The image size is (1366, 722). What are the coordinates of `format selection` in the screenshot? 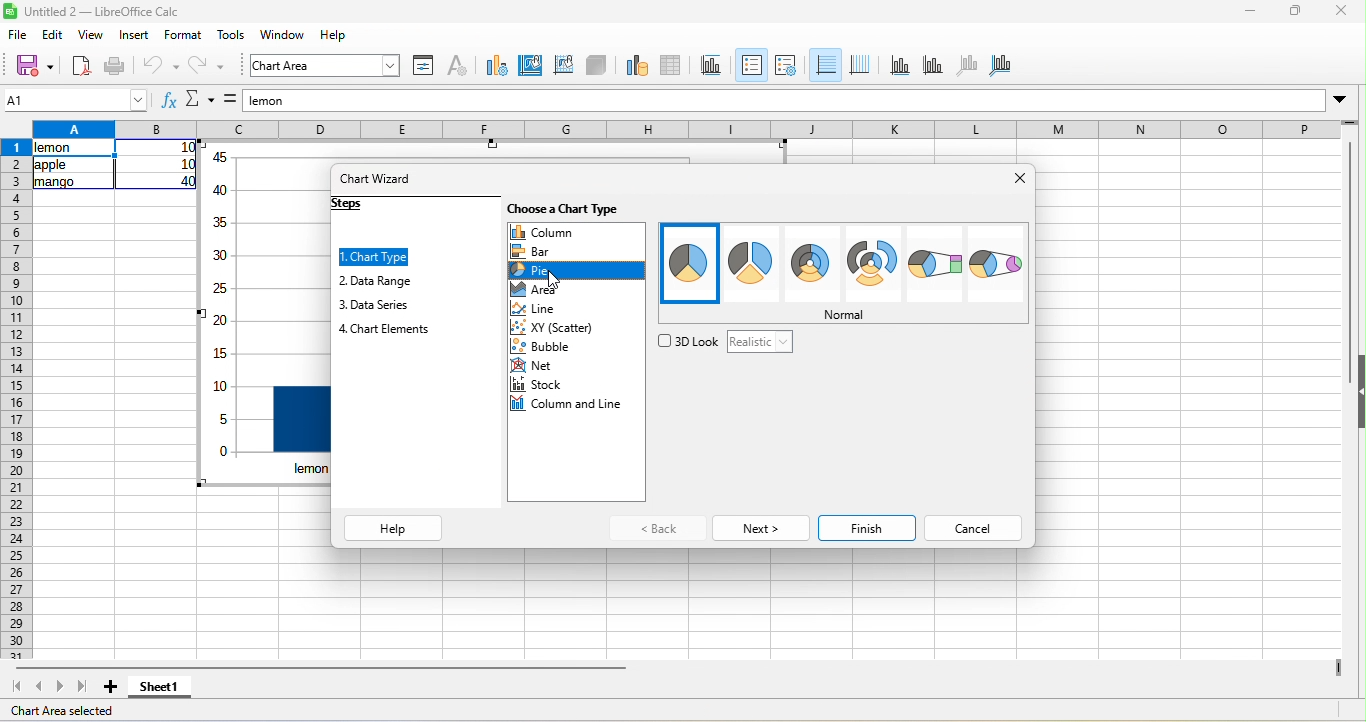 It's located at (426, 67).